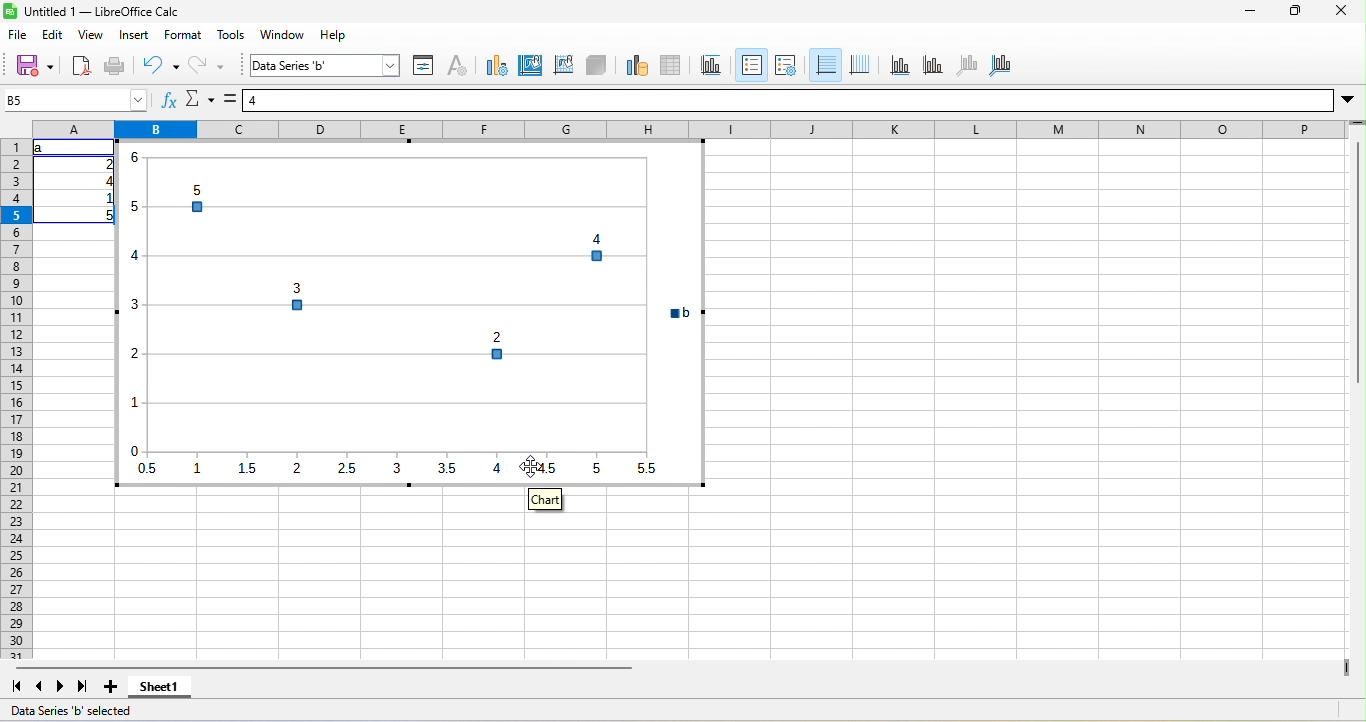 The image size is (1366, 722). Describe the element at coordinates (497, 67) in the screenshot. I see `chart type` at that location.